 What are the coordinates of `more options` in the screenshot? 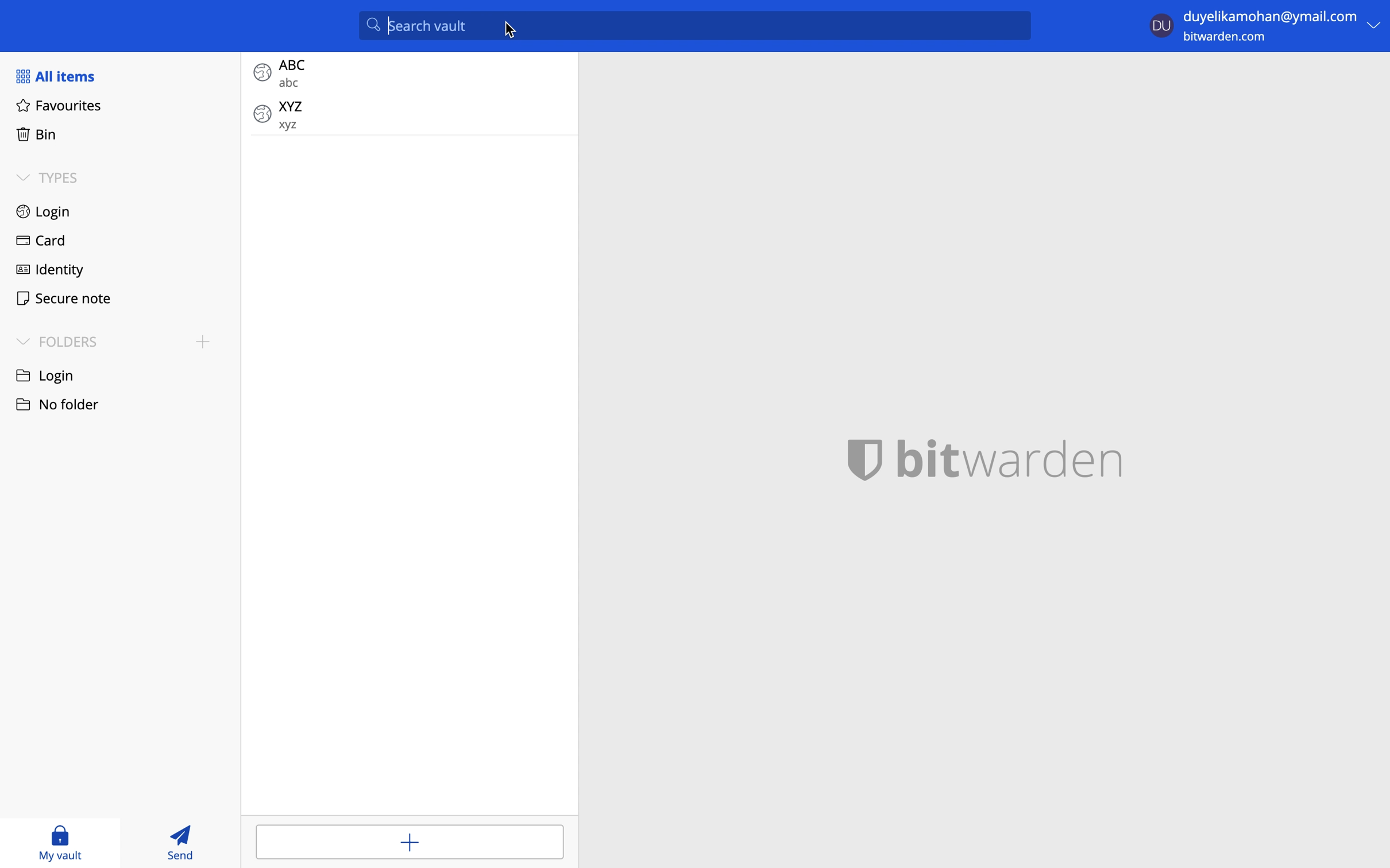 It's located at (1375, 26).